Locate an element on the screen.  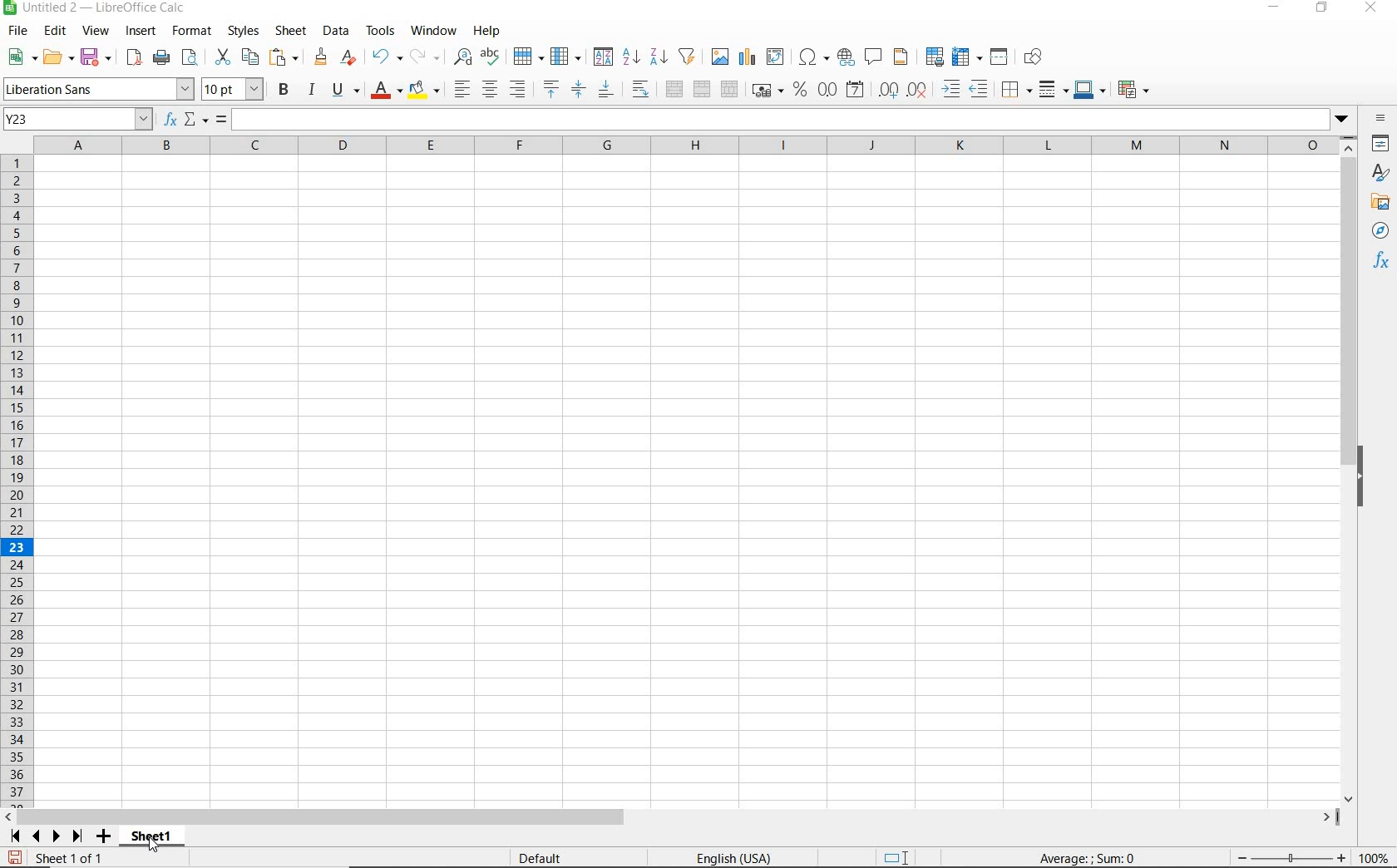
STYLES is located at coordinates (243, 31).